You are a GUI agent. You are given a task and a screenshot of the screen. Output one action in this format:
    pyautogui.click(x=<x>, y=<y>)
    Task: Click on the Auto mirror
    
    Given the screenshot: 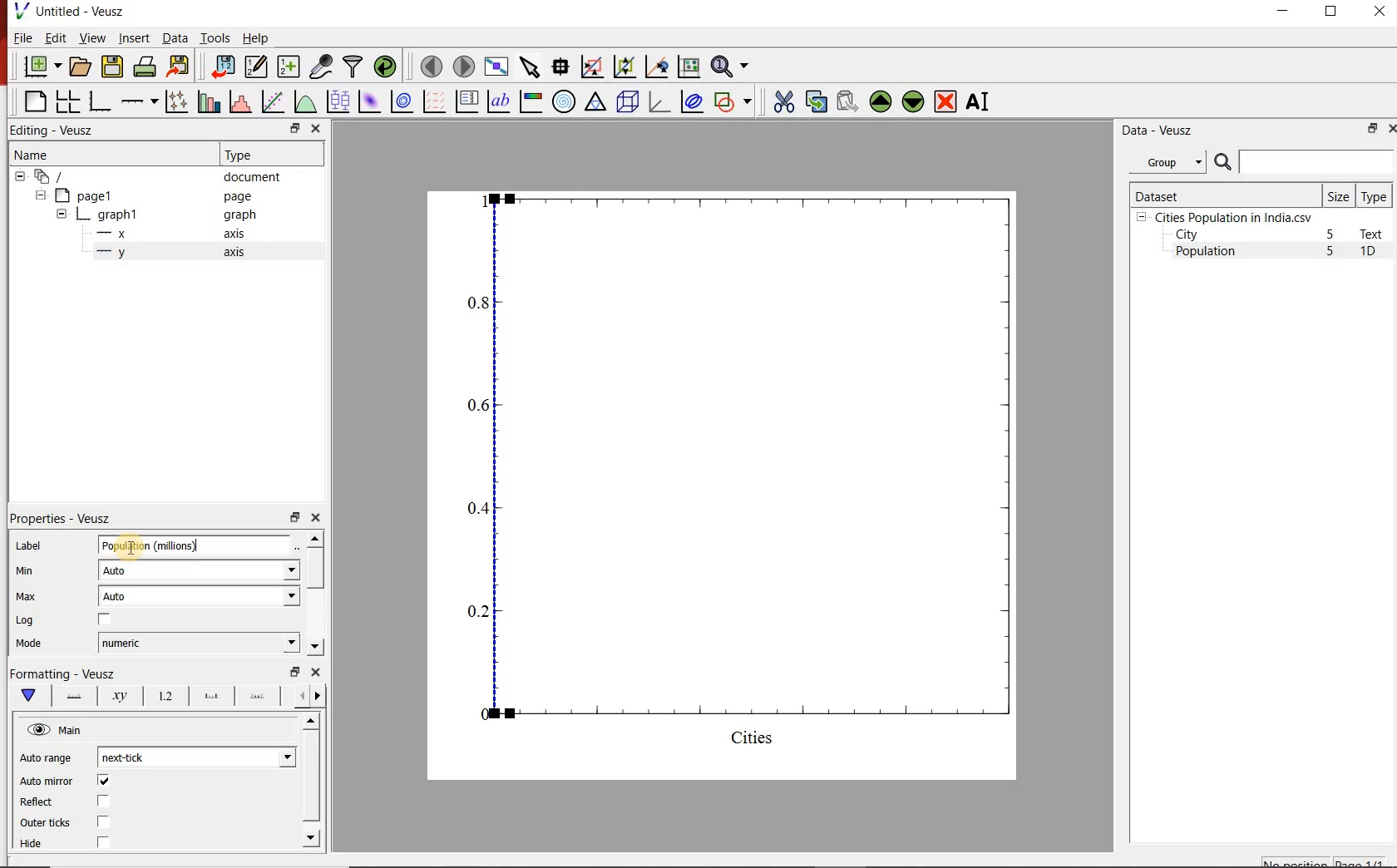 What is the action you would take?
    pyautogui.click(x=48, y=780)
    